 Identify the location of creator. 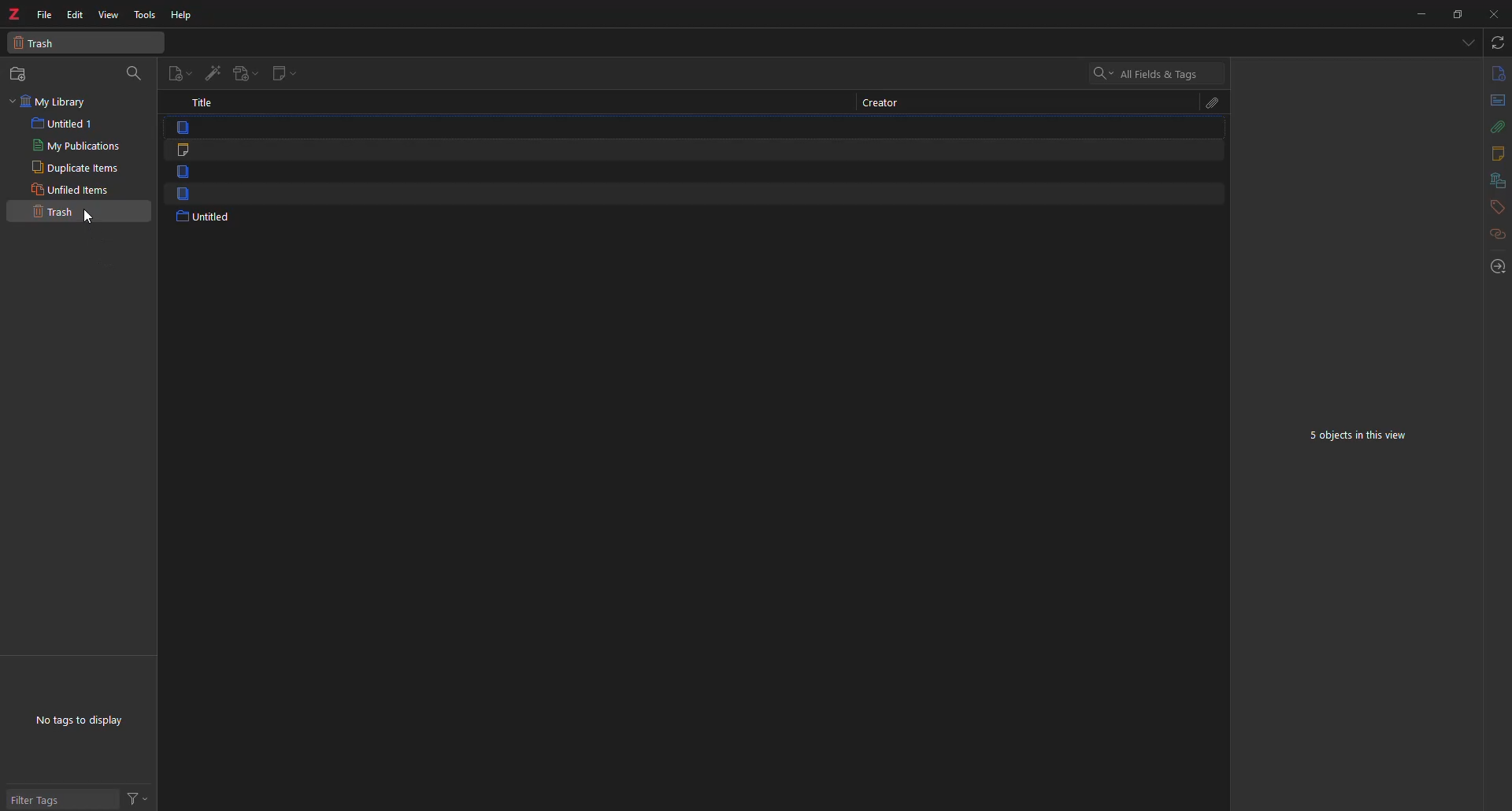
(891, 103).